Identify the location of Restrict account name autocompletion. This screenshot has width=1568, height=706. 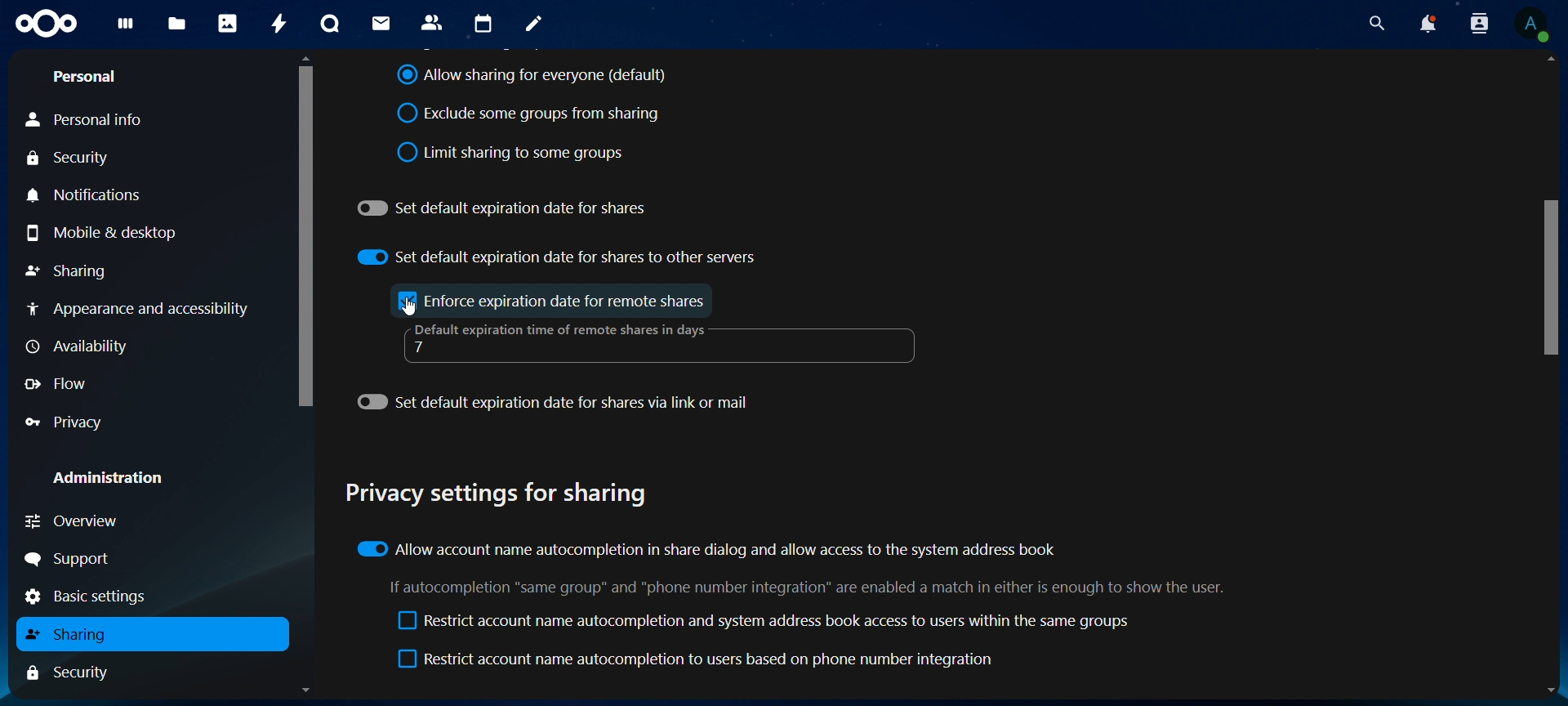
(699, 661).